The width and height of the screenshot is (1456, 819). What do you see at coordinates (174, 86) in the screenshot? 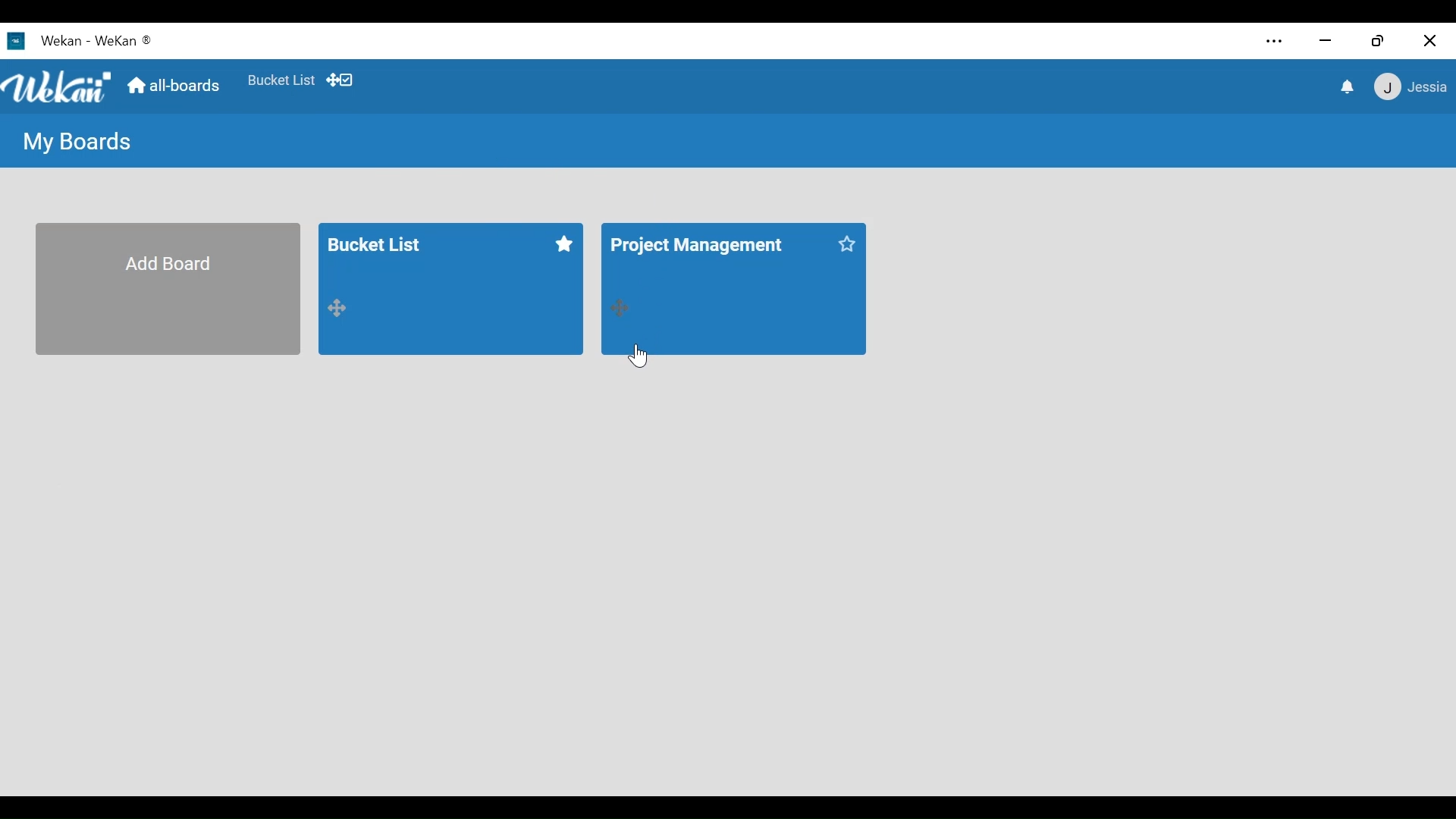
I see `all-boards` at bounding box center [174, 86].